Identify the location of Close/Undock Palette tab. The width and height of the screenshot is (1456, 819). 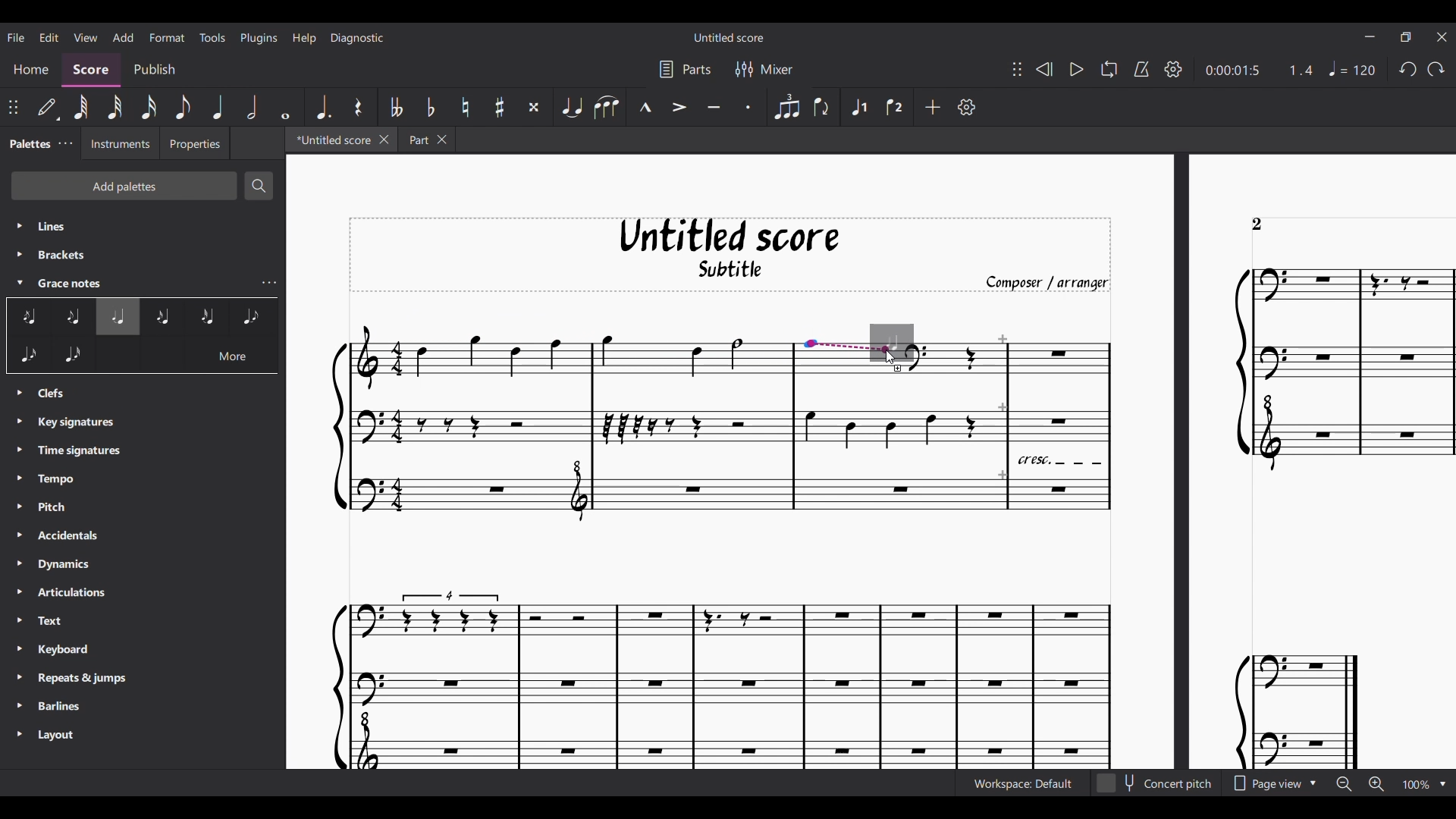
(65, 143).